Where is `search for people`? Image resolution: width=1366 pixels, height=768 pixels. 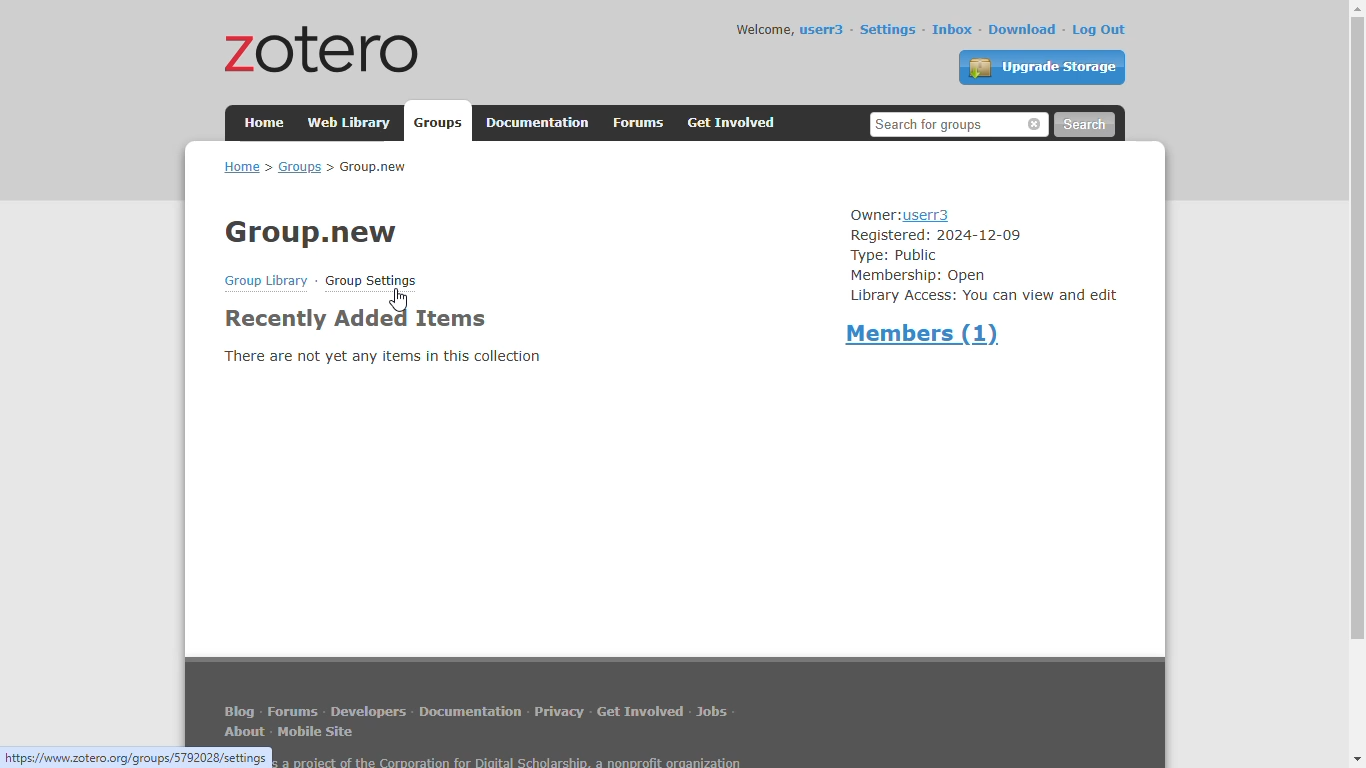
search for people is located at coordinates (960, 124).